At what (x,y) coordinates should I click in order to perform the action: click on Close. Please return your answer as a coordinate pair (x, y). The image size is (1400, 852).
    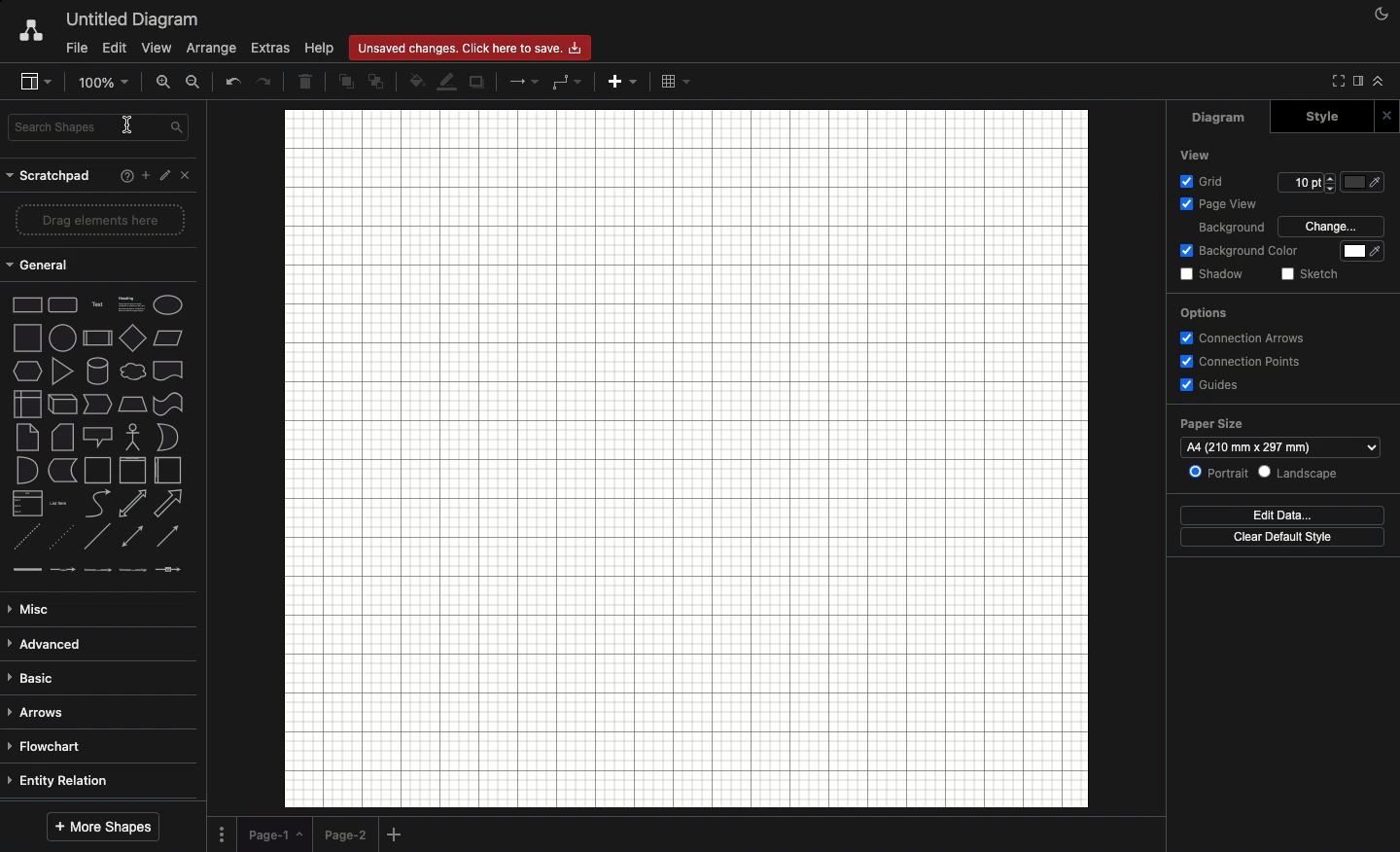
    Looking at the image, I should click on (1389, 117).